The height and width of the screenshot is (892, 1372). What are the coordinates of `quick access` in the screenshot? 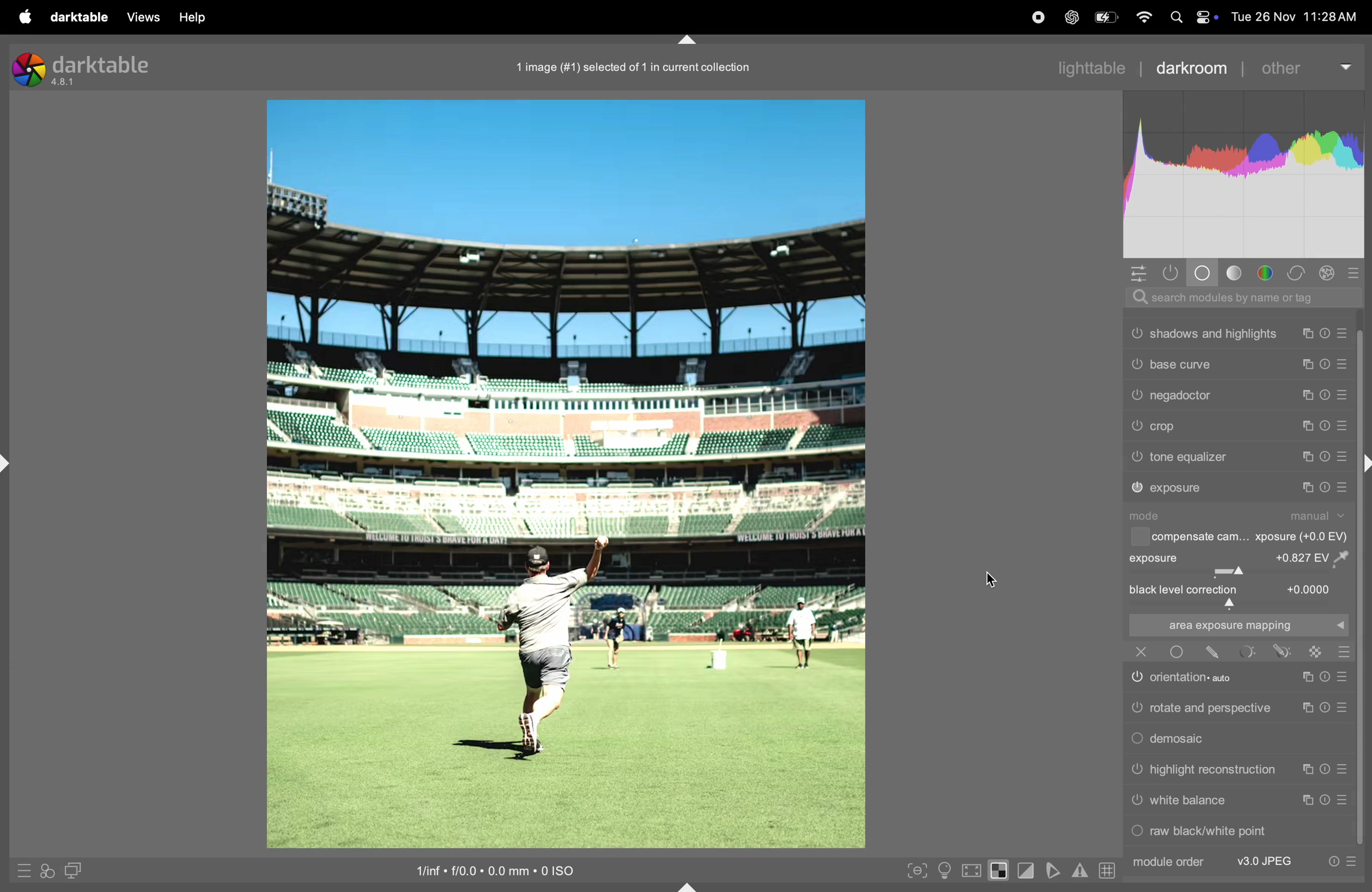 It's located at (47, 872).